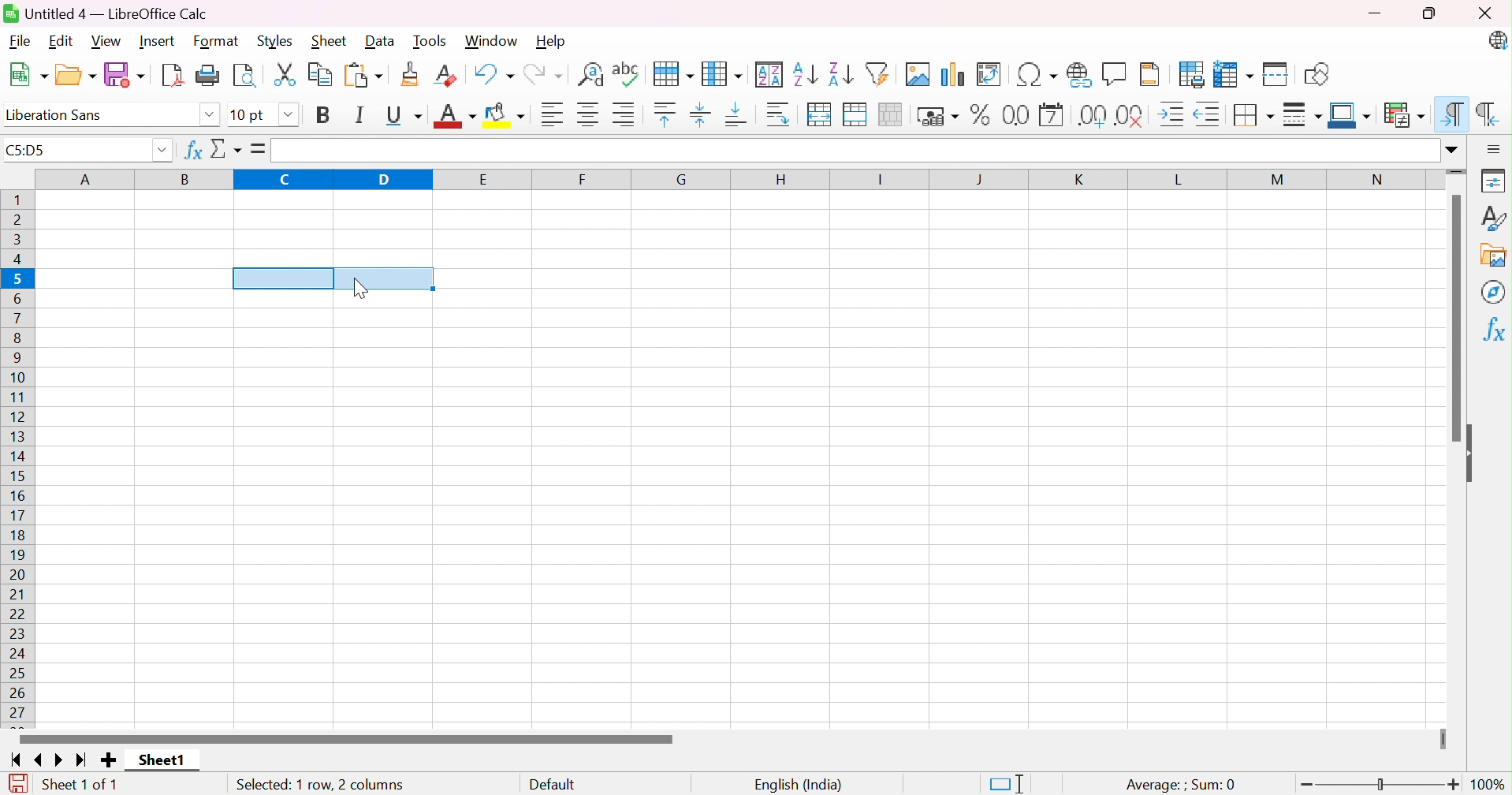 The height and width of the screenshot is (795, 1512). Describe the element at coordinates (275, 42) in the screenshot. I see `Styles` at that location.